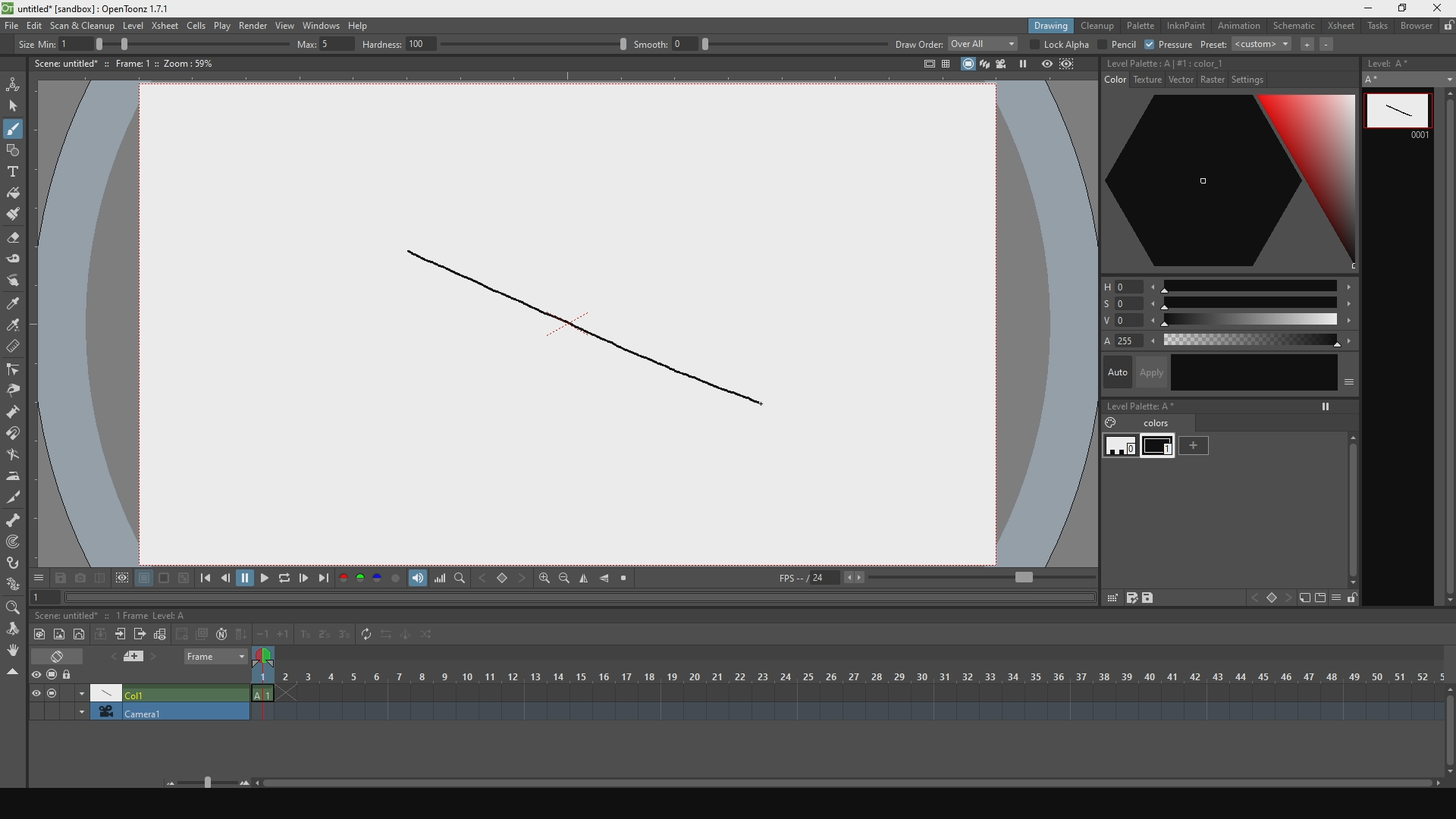  What do you see at coordinates (1303, 598) in the screenshot?
I see `icon` at bounding box center [1303, 598].